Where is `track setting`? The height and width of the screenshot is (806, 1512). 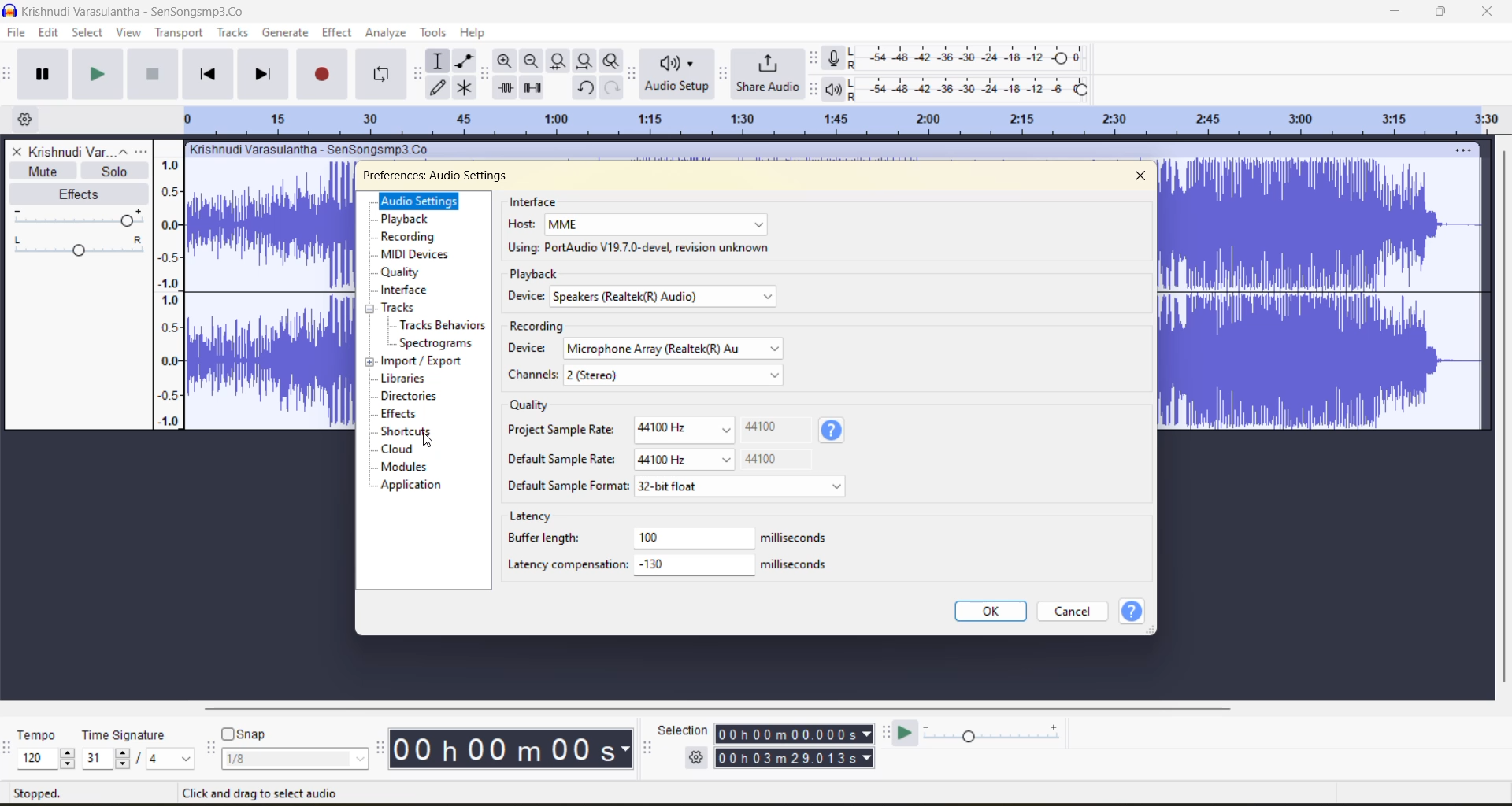 track setting is located at coordinates (1463, 150).